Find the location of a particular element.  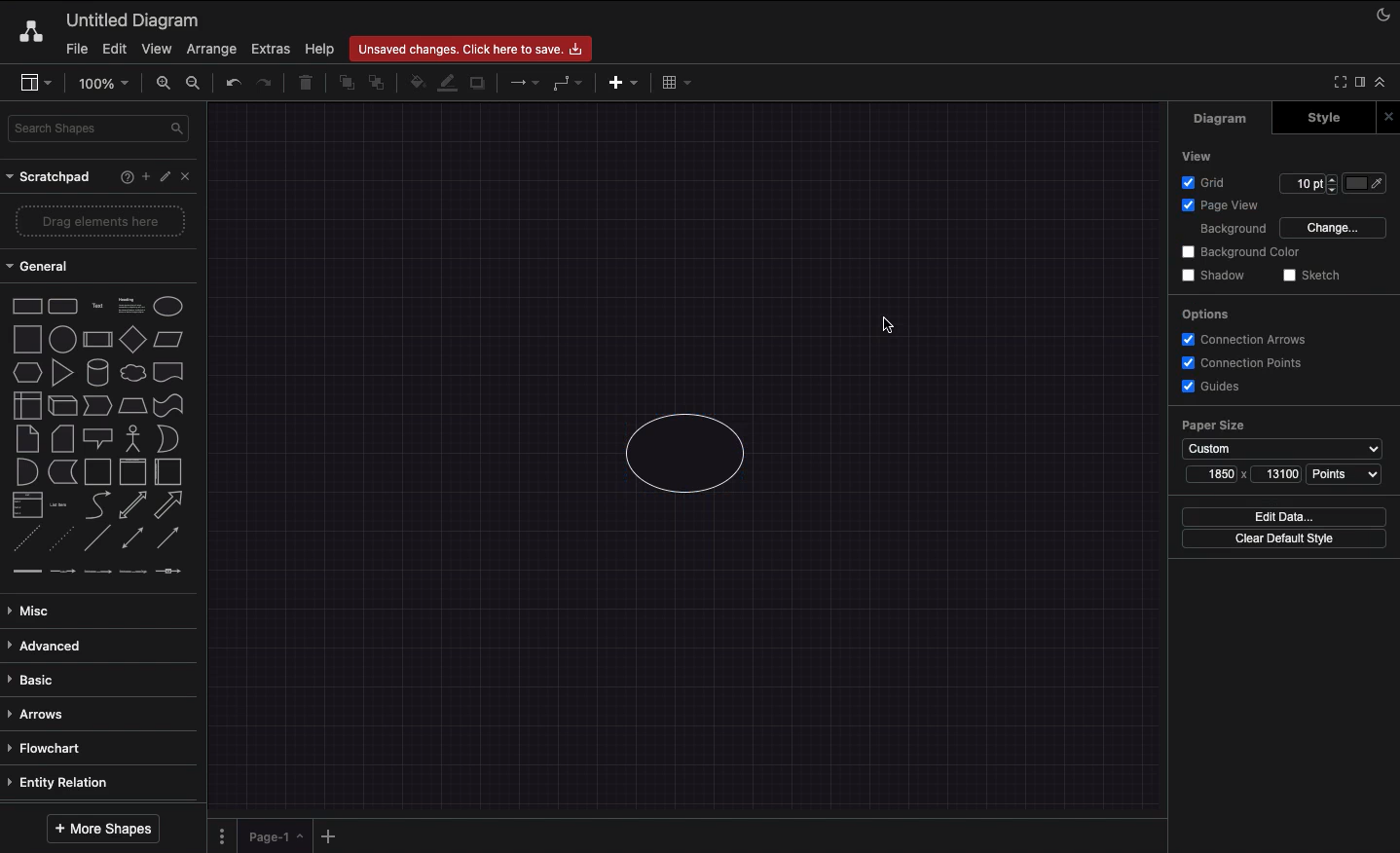

Add new pages is located at coordinates (331, 837).